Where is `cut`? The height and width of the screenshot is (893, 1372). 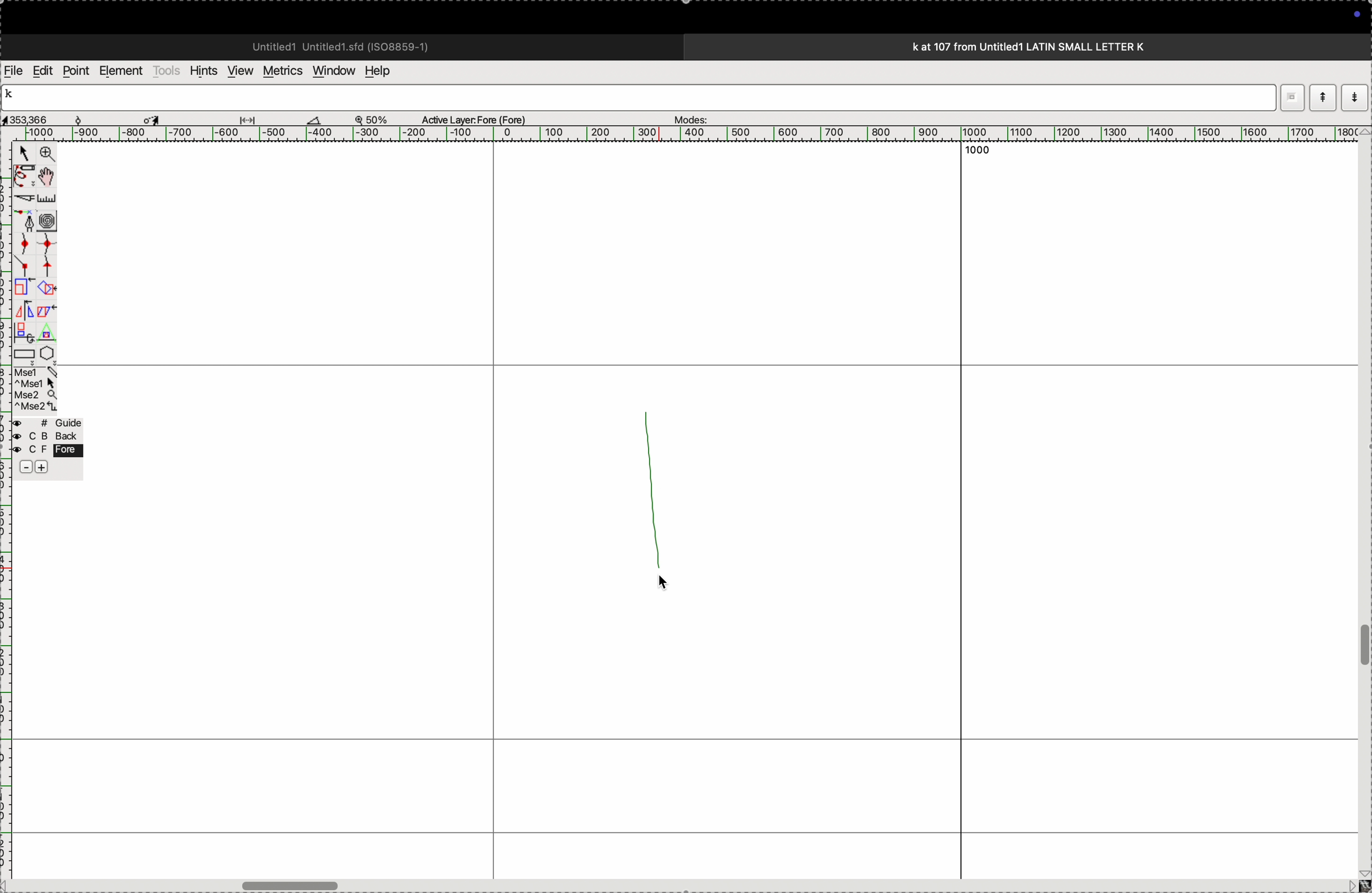
cut is located at coordinates (22, 198).